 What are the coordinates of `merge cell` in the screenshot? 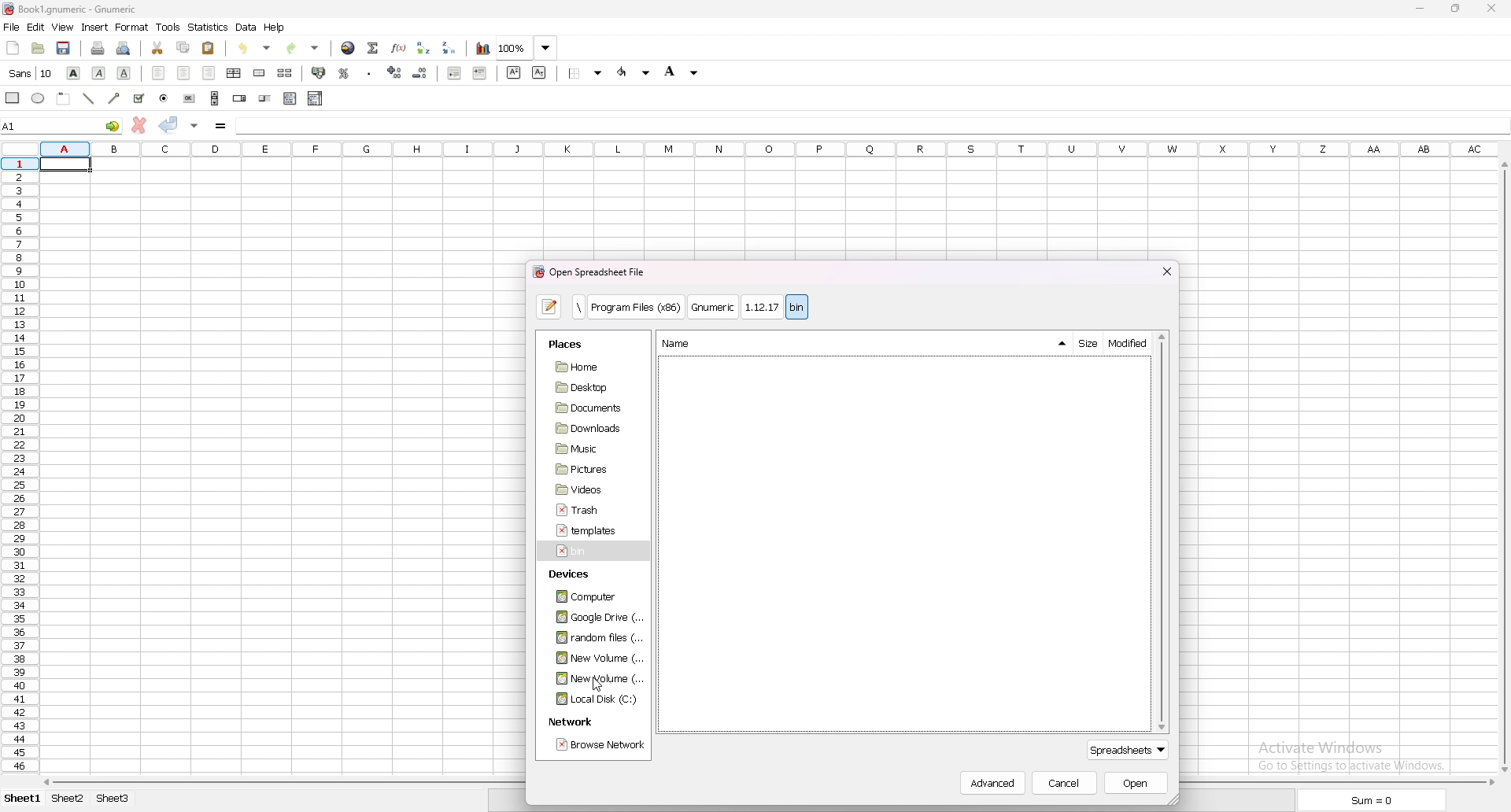 It's located at (261, 73).